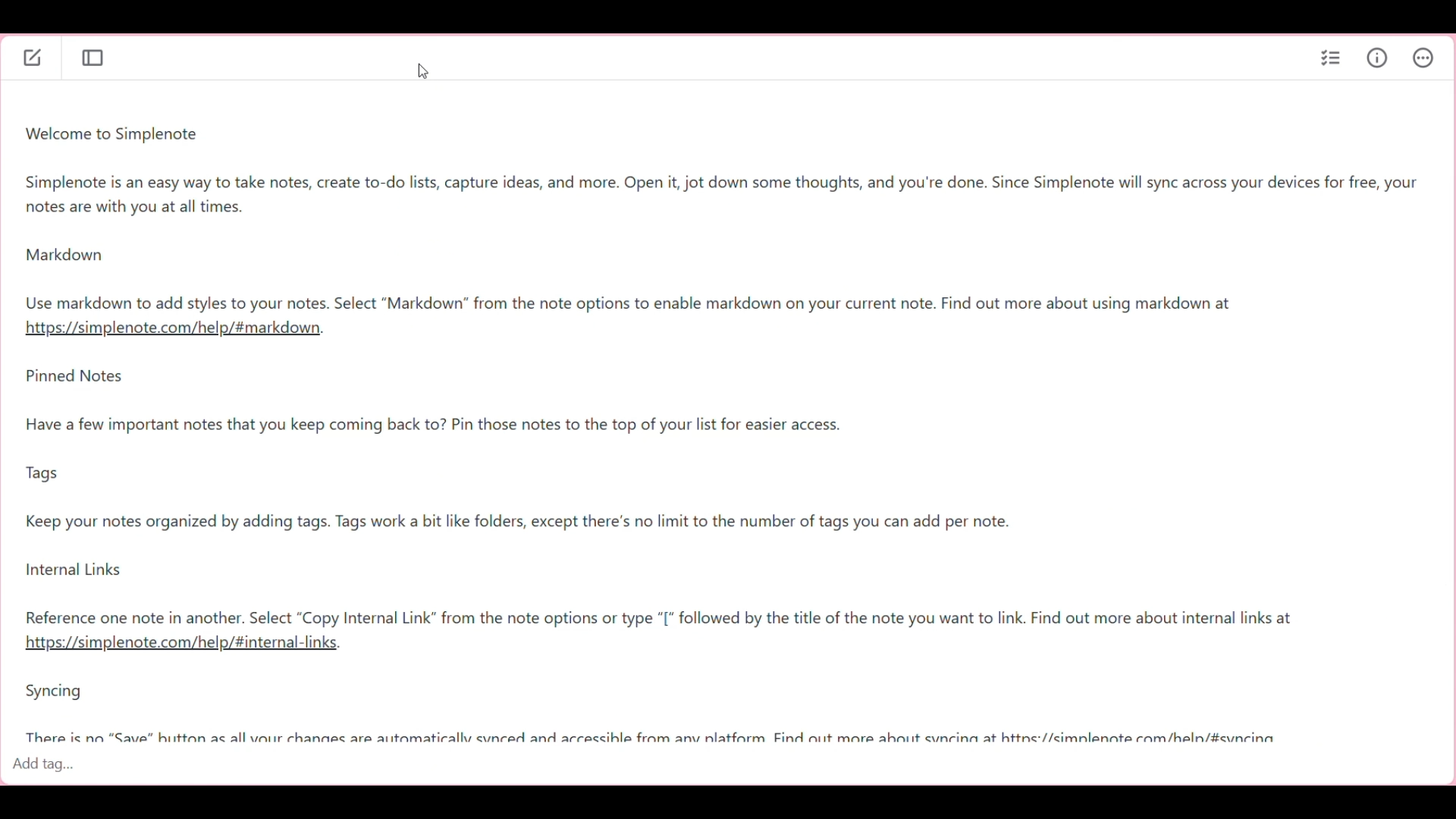 This screenshot has height=819, width=1456. I want to click on Syncing, so click(711, 711).